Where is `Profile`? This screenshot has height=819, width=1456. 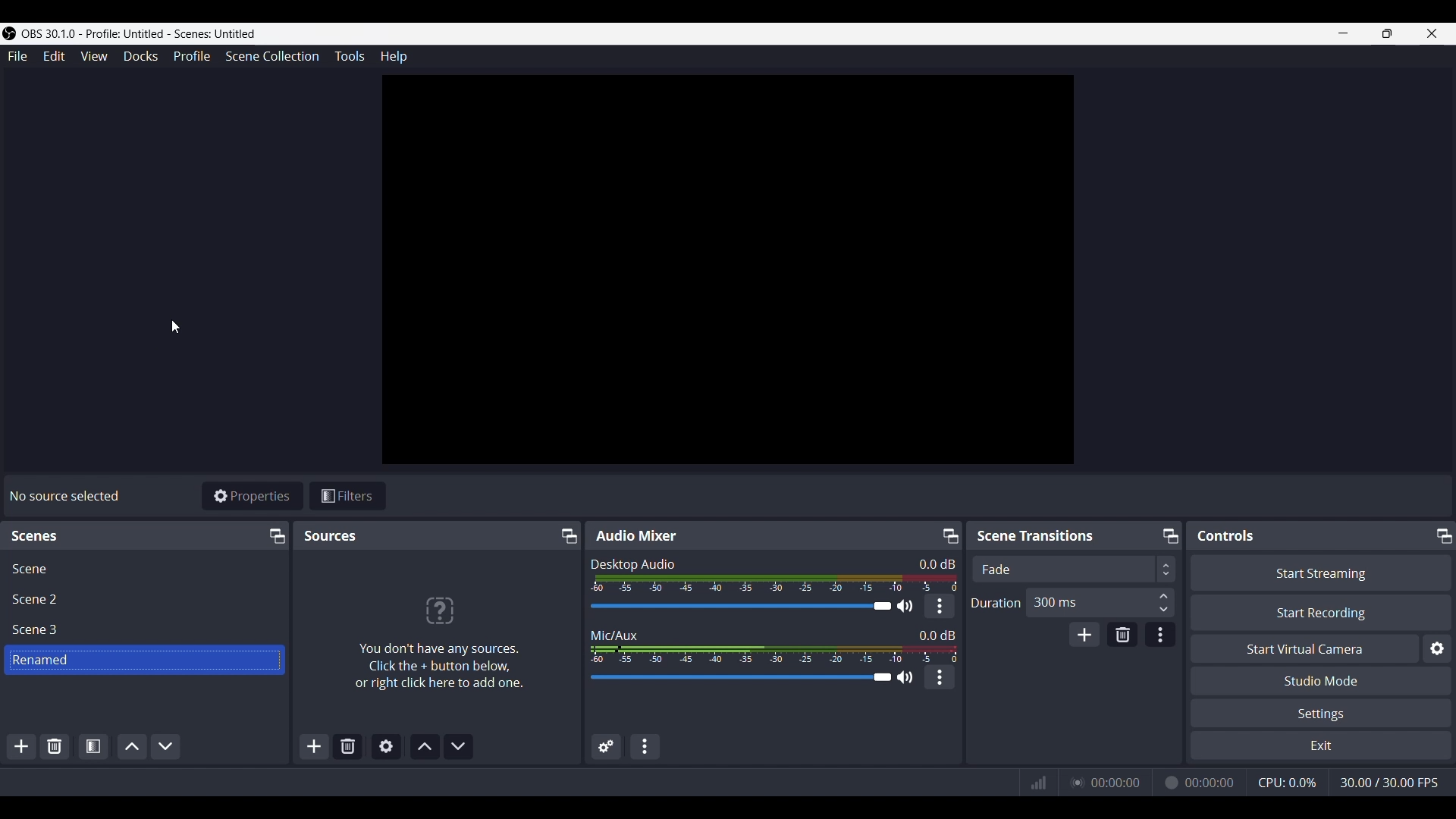 Profile is located at coordinates (193, 55).